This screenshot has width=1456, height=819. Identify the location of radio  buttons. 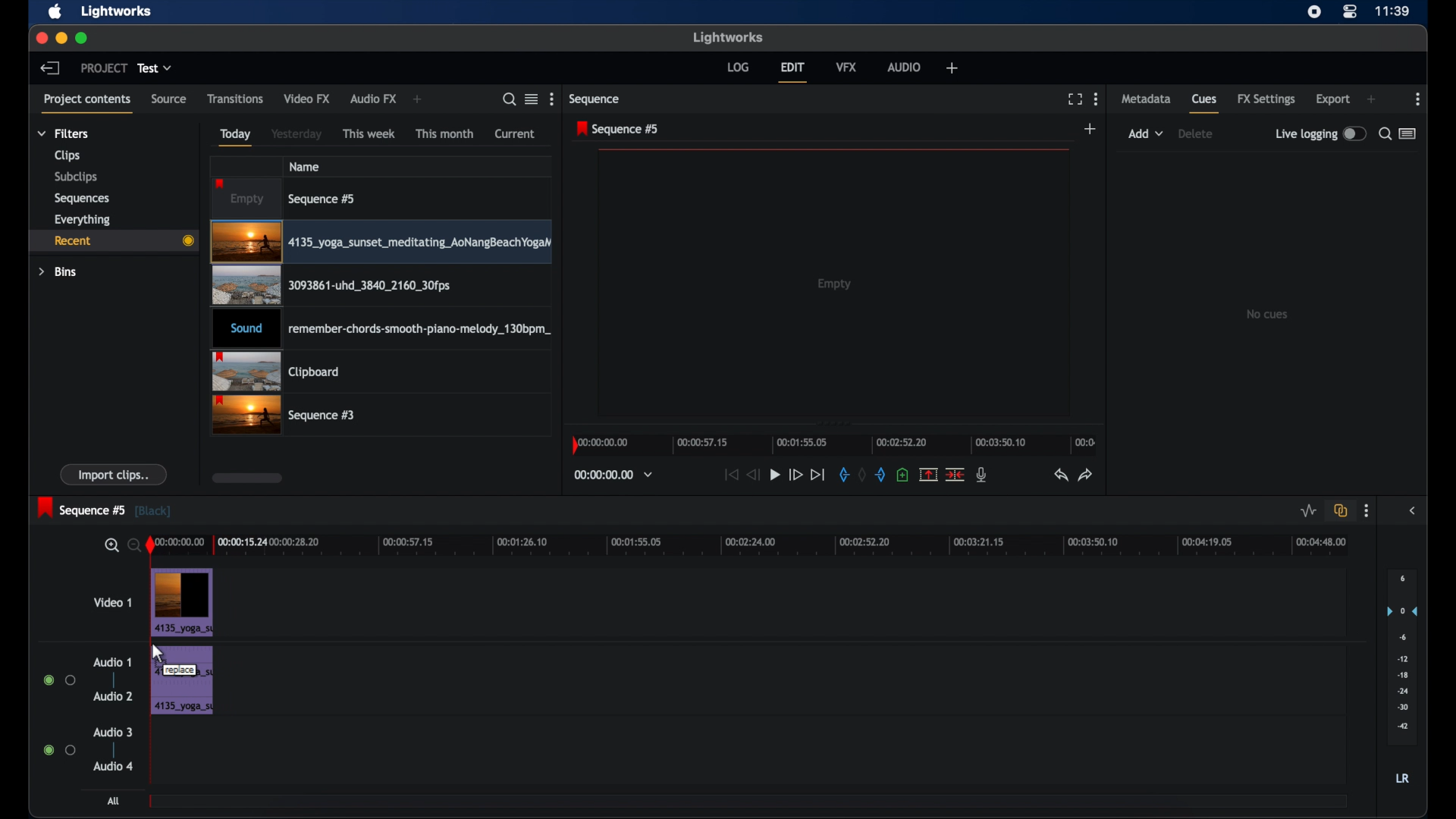
(60, 750).